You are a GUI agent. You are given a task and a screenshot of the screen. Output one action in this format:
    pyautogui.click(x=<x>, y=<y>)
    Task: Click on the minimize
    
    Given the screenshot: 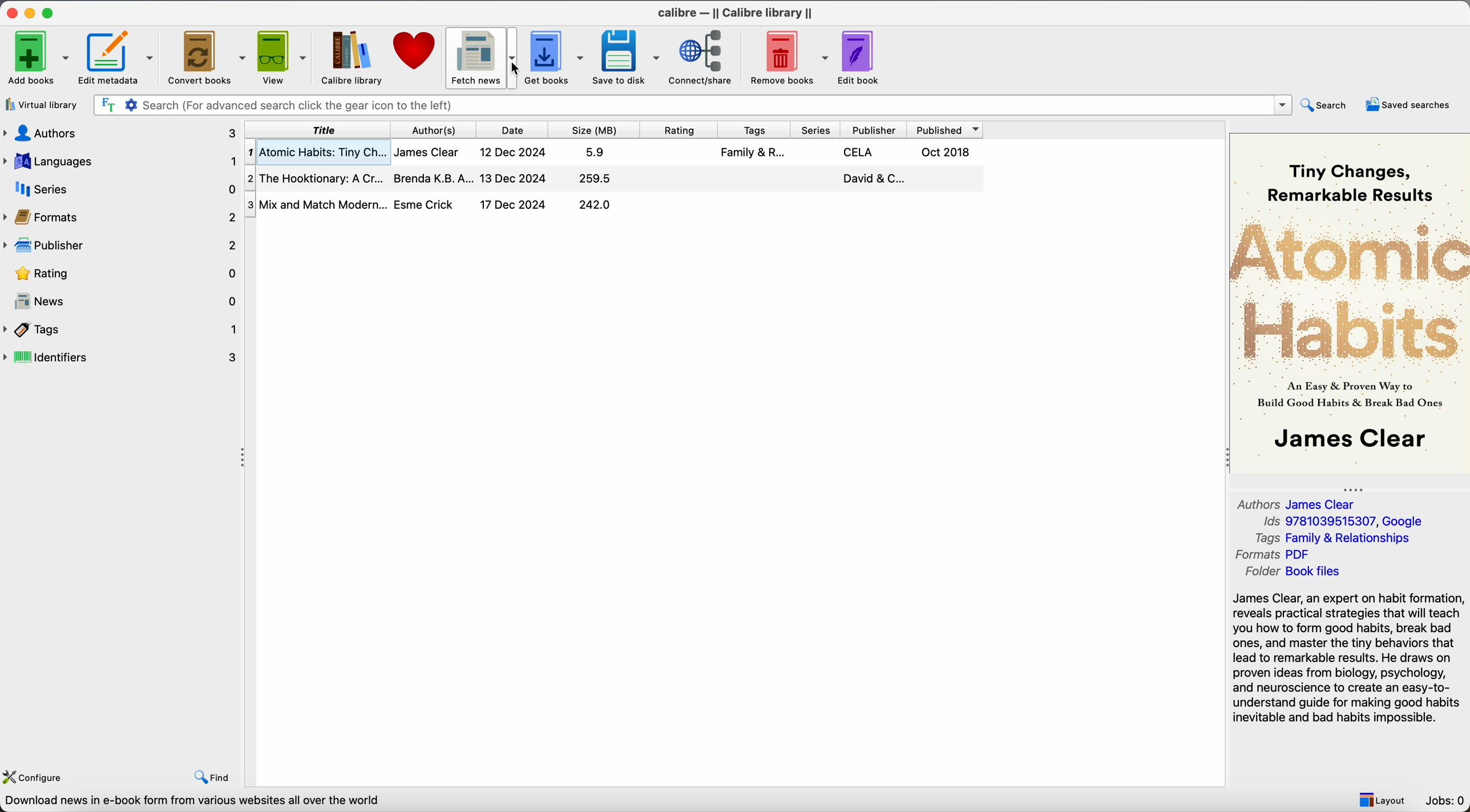 What is the action you would take?
    pyautogui.click(x=32, y=11)
    